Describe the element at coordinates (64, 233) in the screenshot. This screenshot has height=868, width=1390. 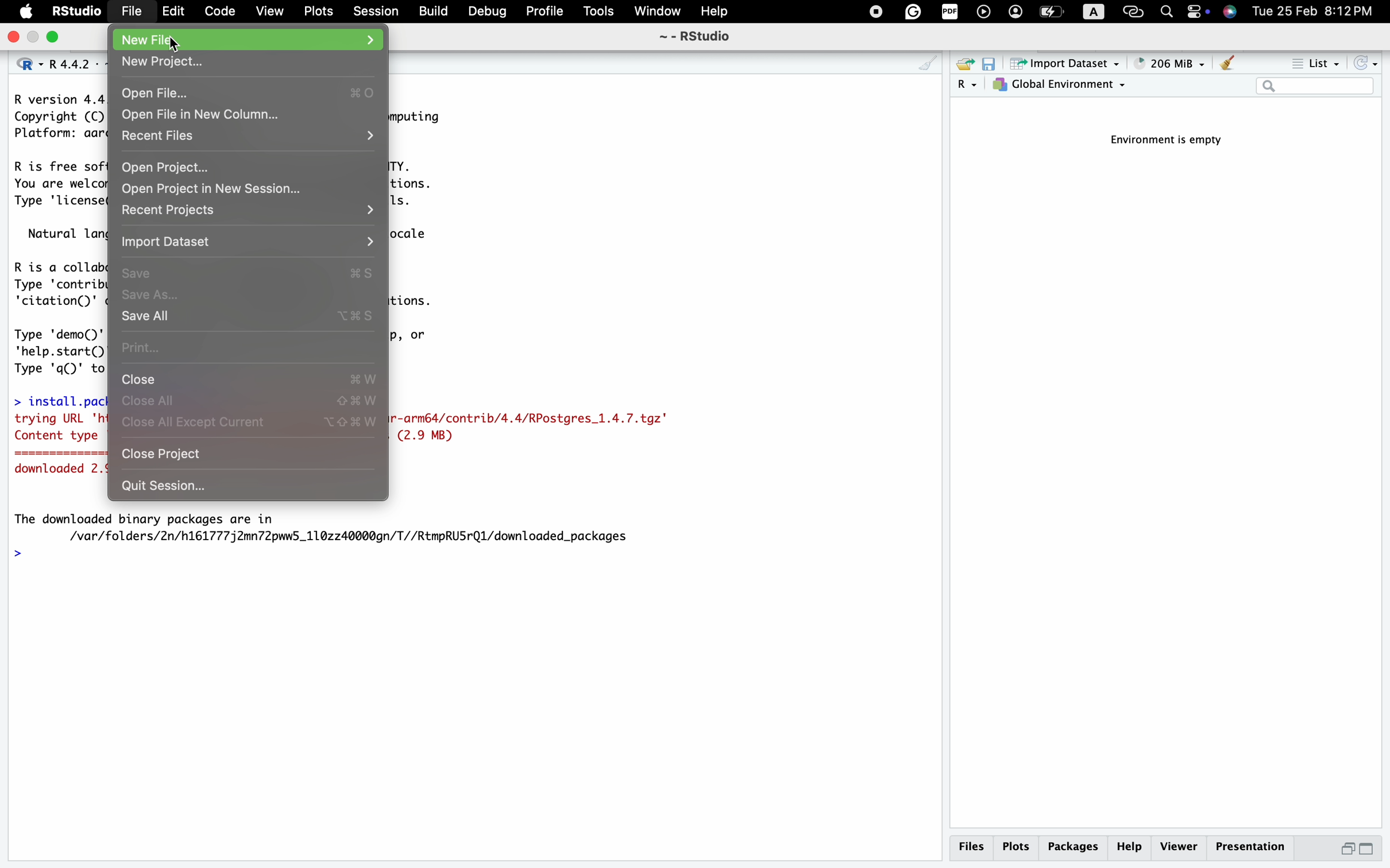
I see `description of support` at that location.